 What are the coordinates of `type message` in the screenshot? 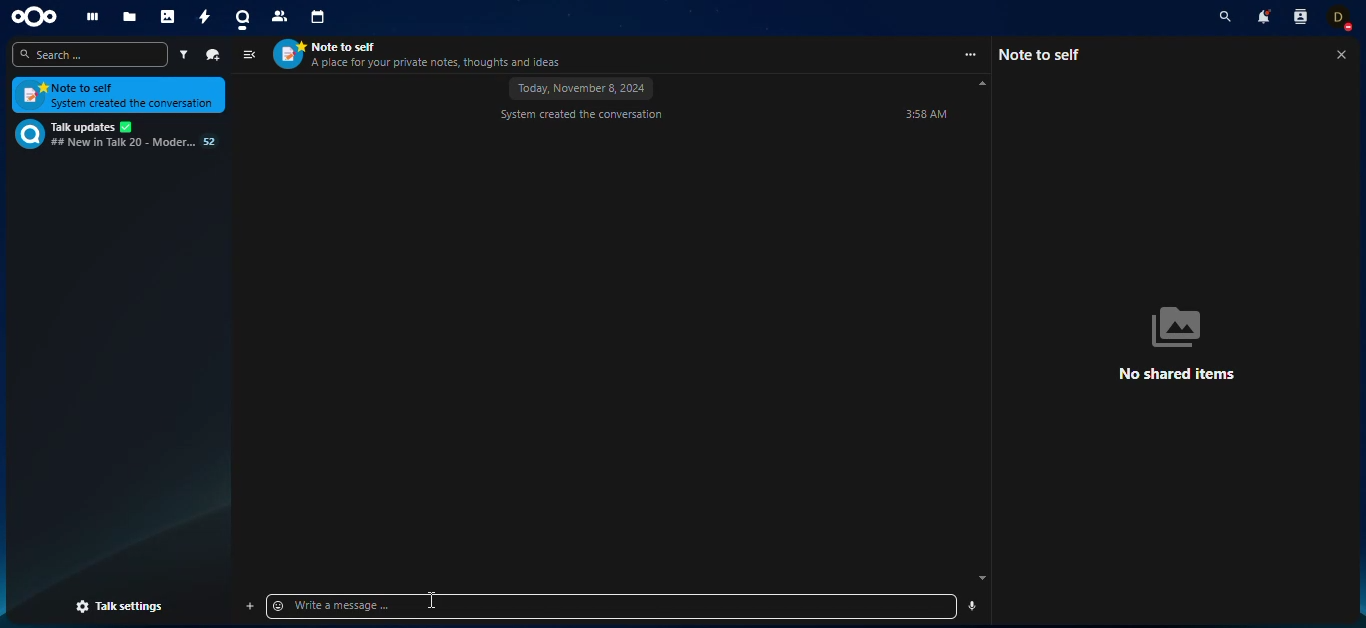 It's located at (398, 606).